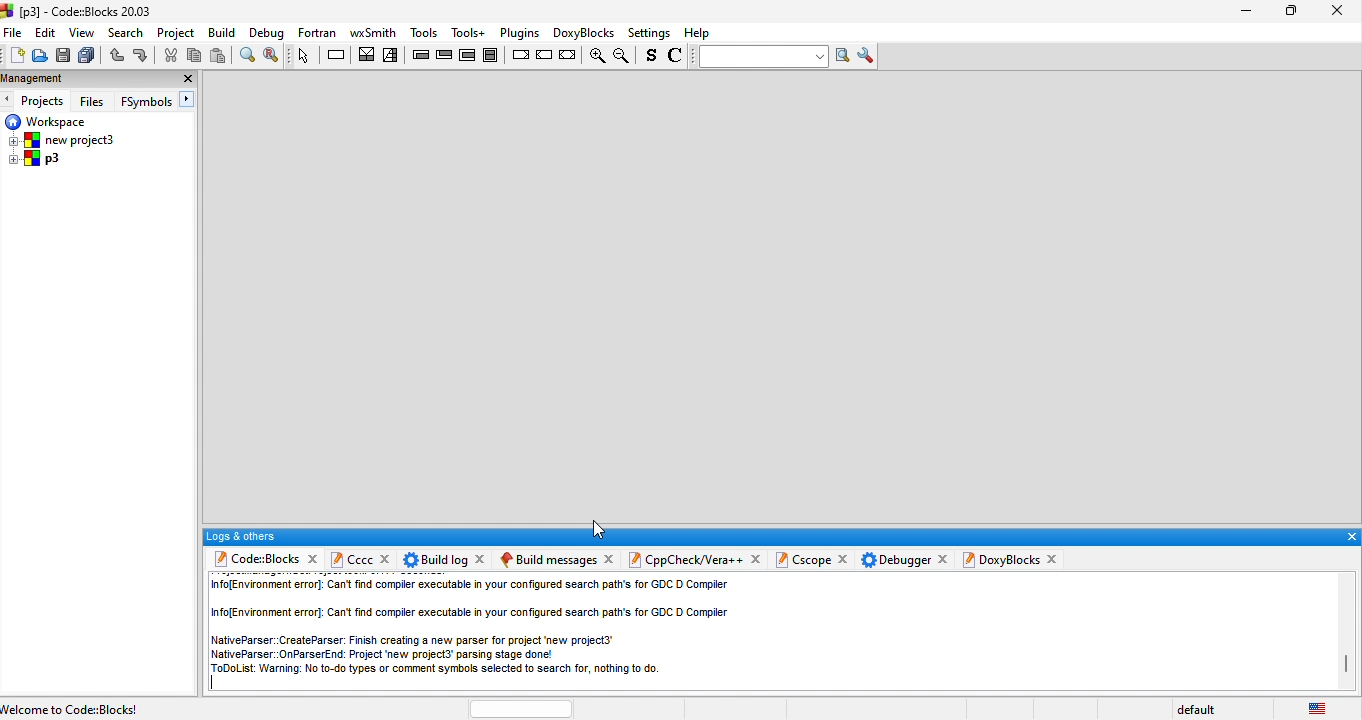 This screenshot has height=720, width=1362. I want to click on close, so click(756, 559).